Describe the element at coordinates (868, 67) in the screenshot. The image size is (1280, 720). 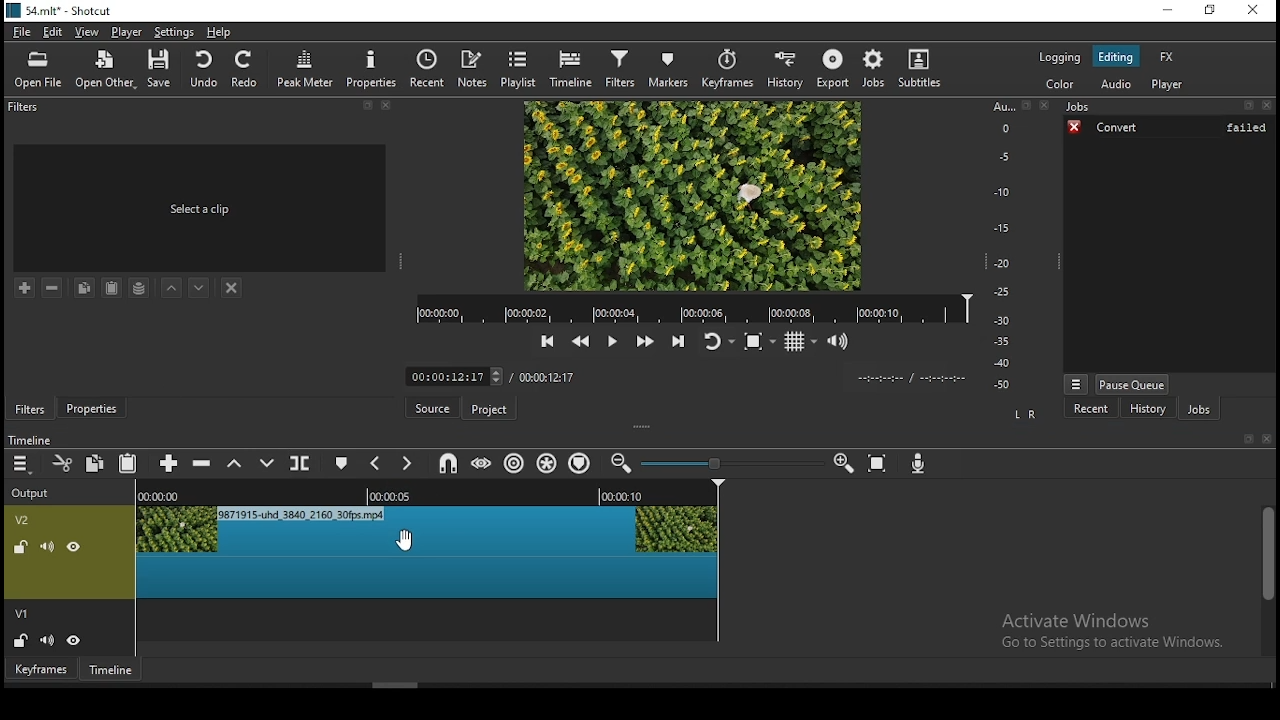
I see `jobs` at that location.